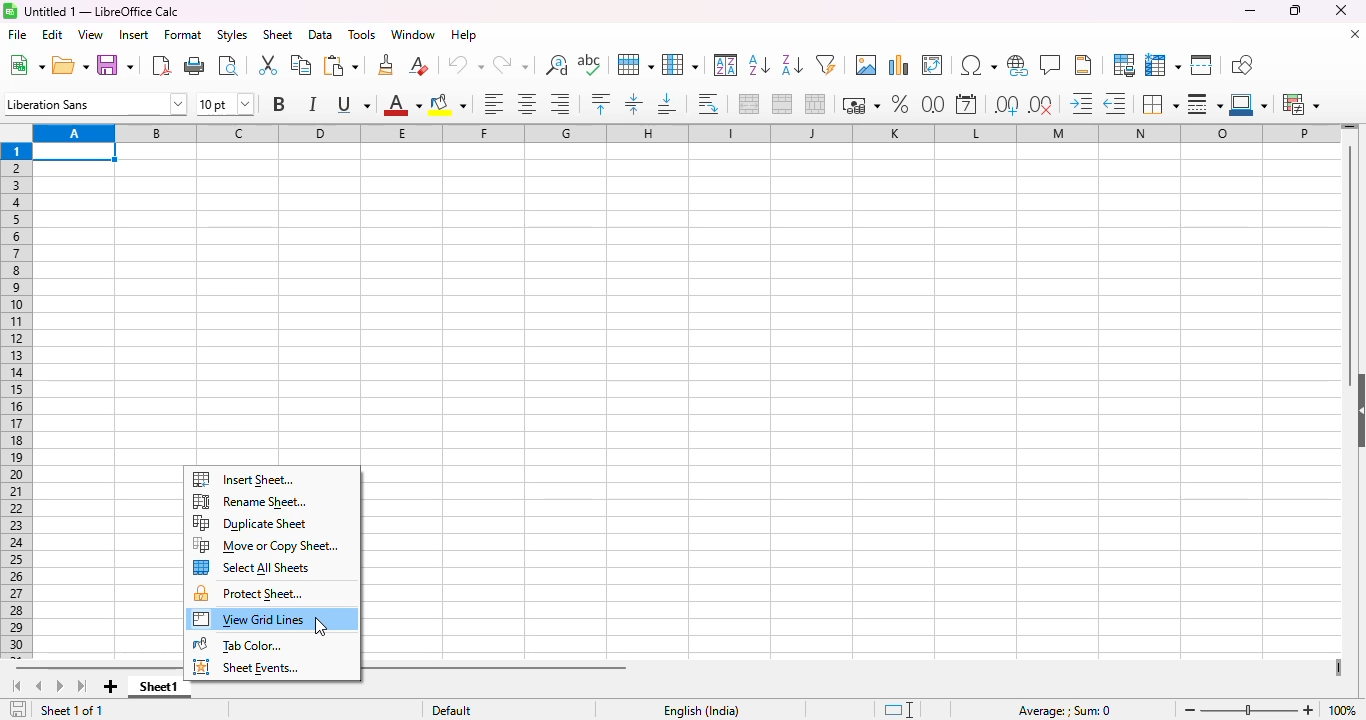 The width and height of the screenshot is (1366, 720). I want to click on spelling, so click(591, 65).